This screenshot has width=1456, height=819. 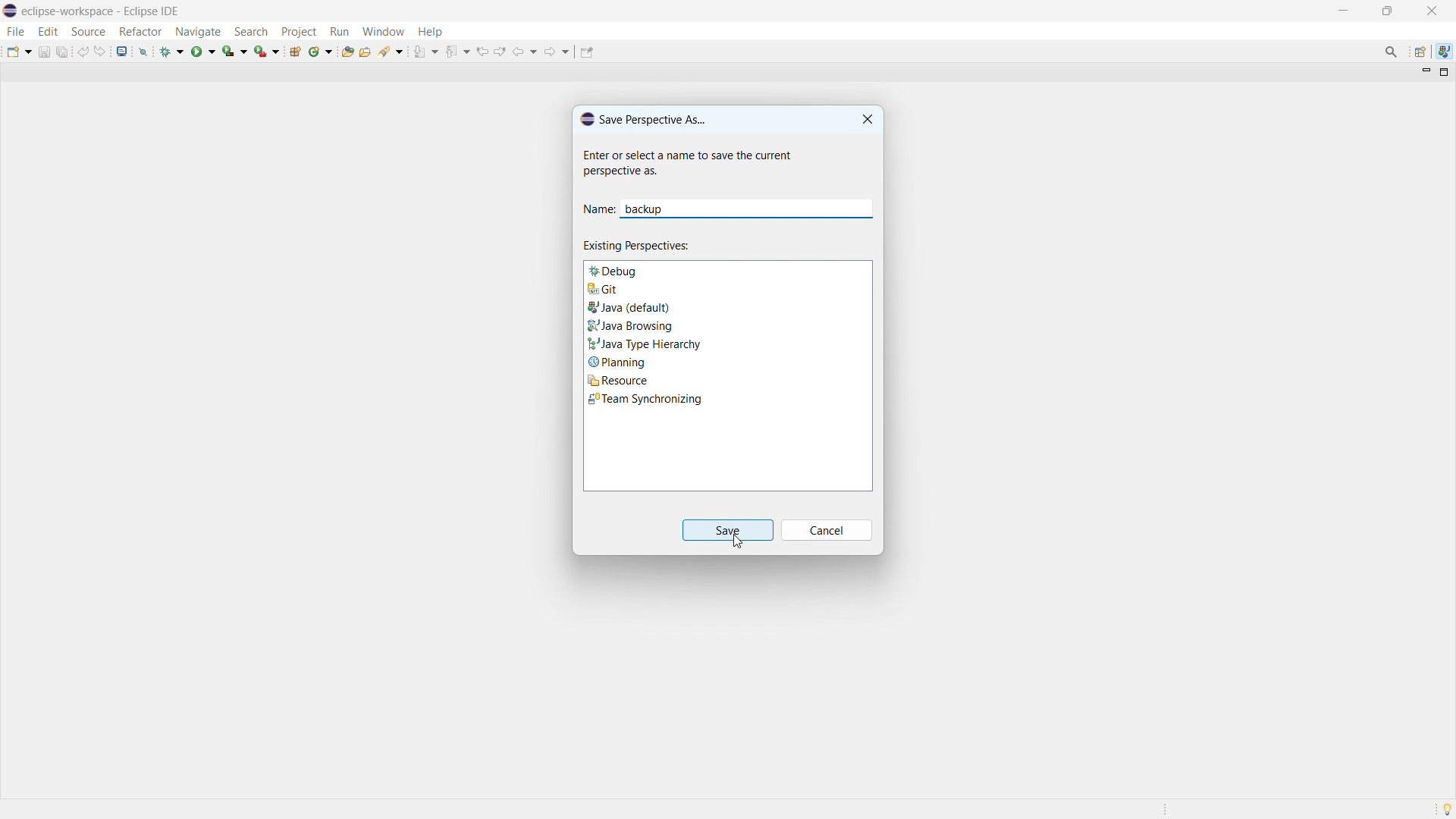 What do you see at coordinates (17, 51) in the screenshot?
I see `new` at bounding box center [17, 51].